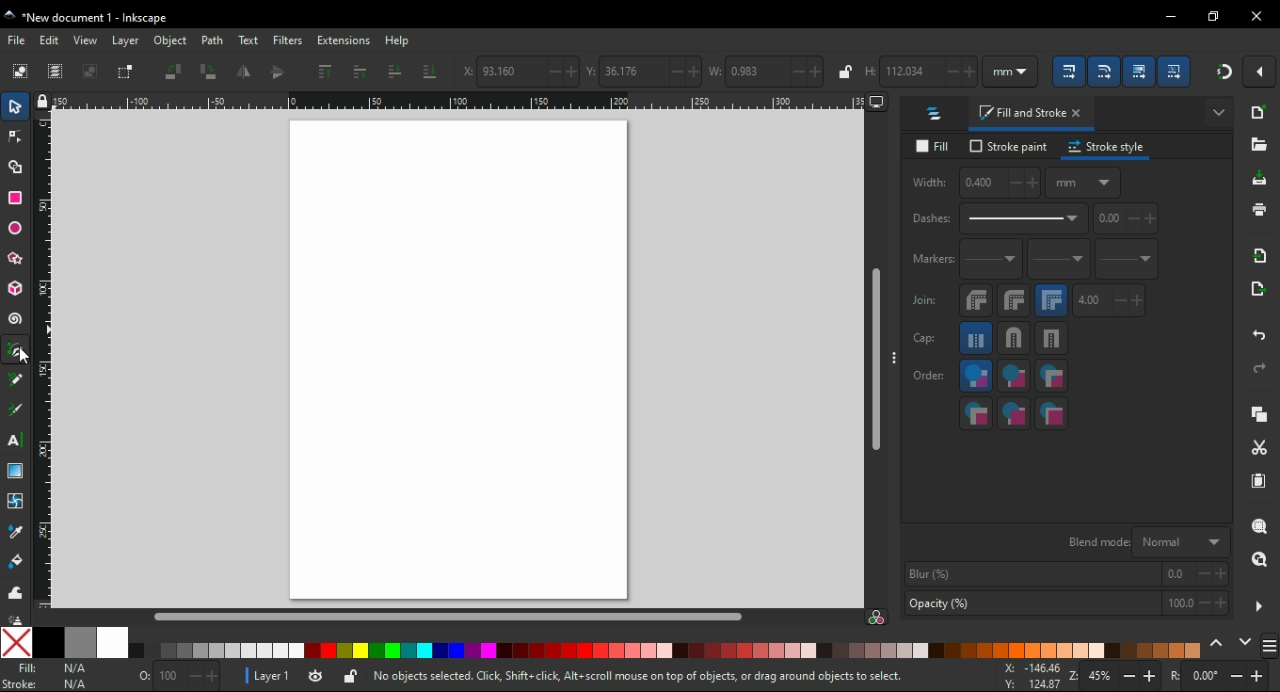 The height and width of the screenshot is (692, 1280). Describe the element at coordinates (599, 649) in the screenshot. I see `color tone pallete` at that location.